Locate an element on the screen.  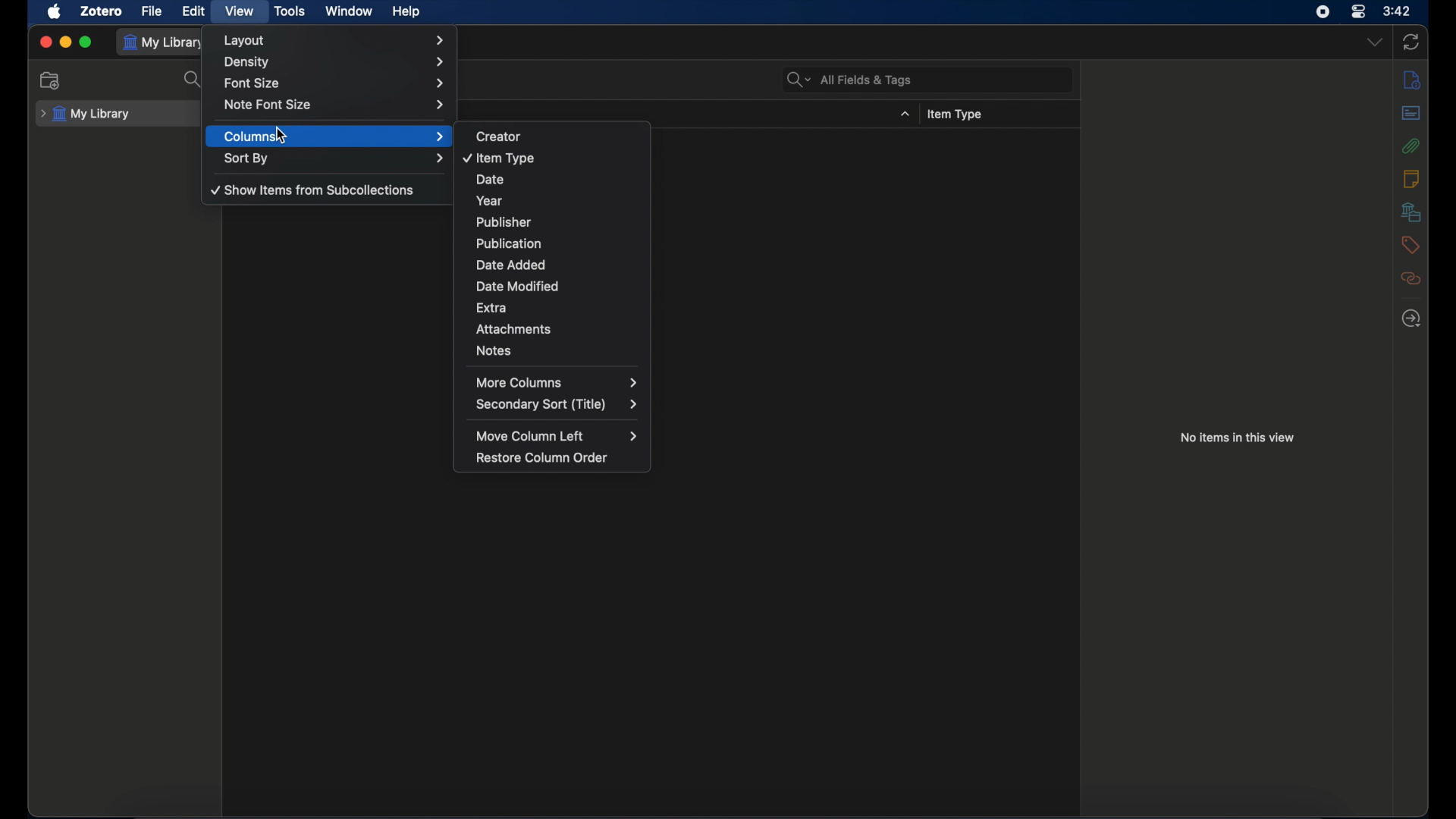
creator is located at coordinates (555, 135).